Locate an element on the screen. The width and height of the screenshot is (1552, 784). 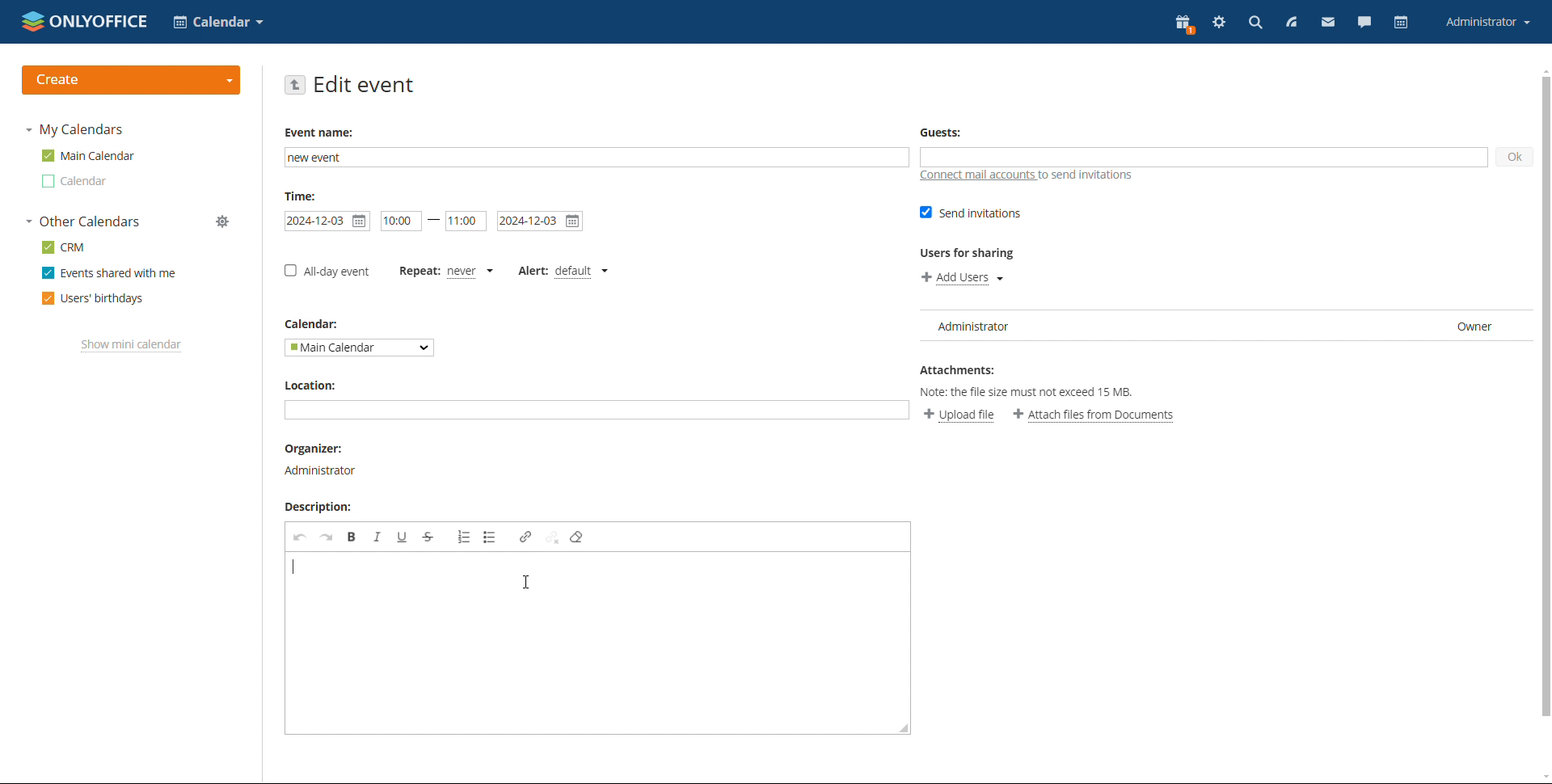
present is located at coordinates (1184, 25).